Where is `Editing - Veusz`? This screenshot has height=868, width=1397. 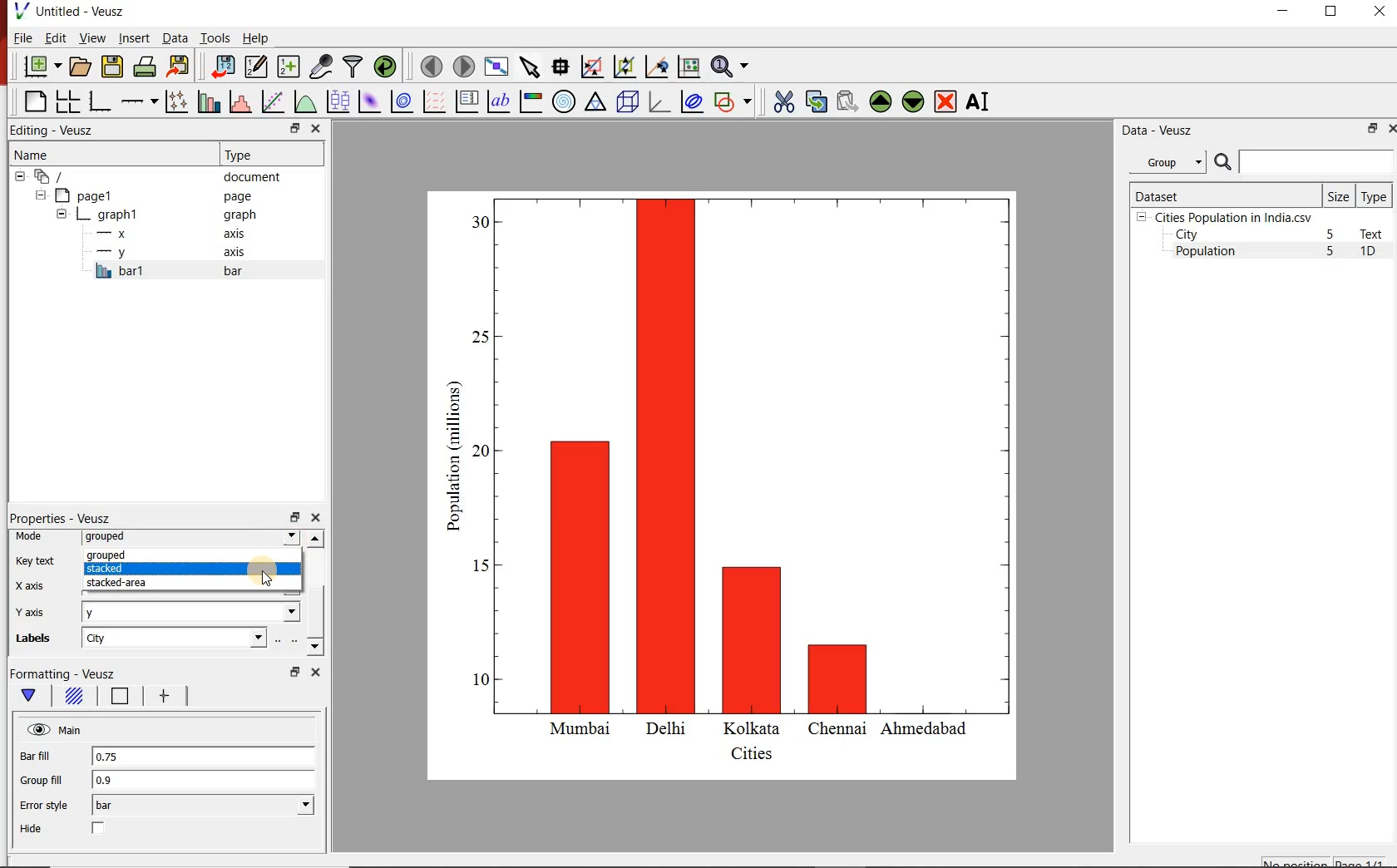 Editing - Veusz is located at coordinates (61, 130).